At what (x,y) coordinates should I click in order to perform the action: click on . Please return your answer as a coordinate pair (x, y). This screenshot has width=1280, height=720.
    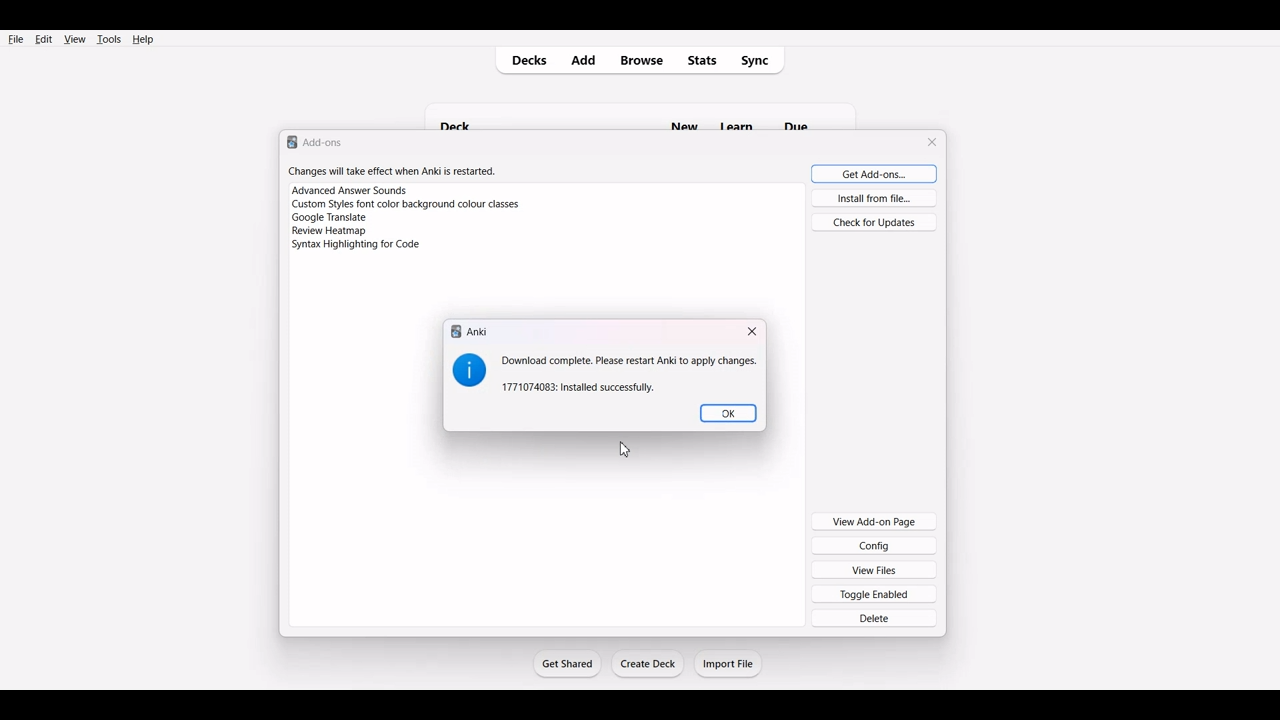
    Looking at the image, I should click on (742, 114).